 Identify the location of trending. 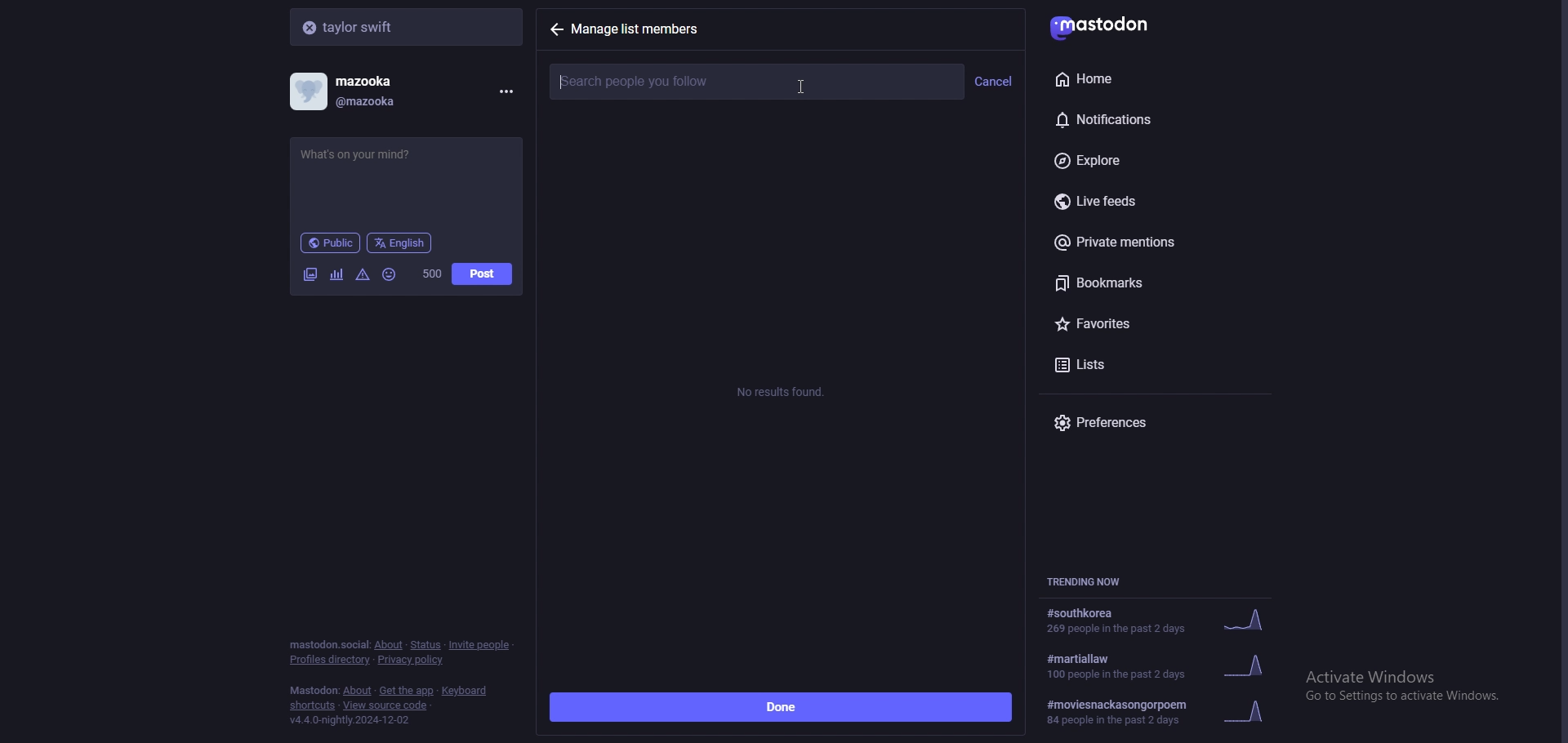
(1168, 665).